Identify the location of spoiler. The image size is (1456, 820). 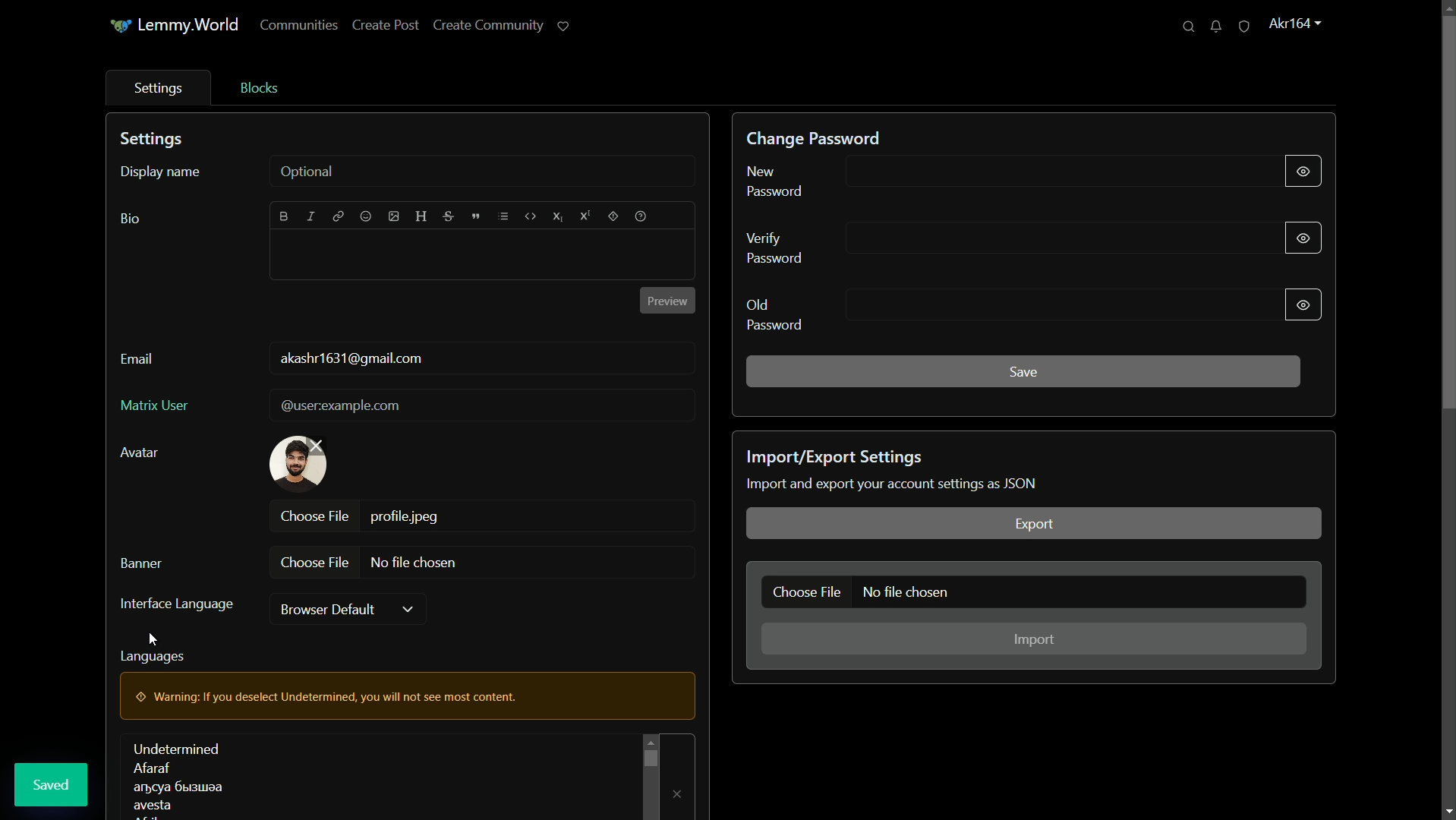
(614, 217).